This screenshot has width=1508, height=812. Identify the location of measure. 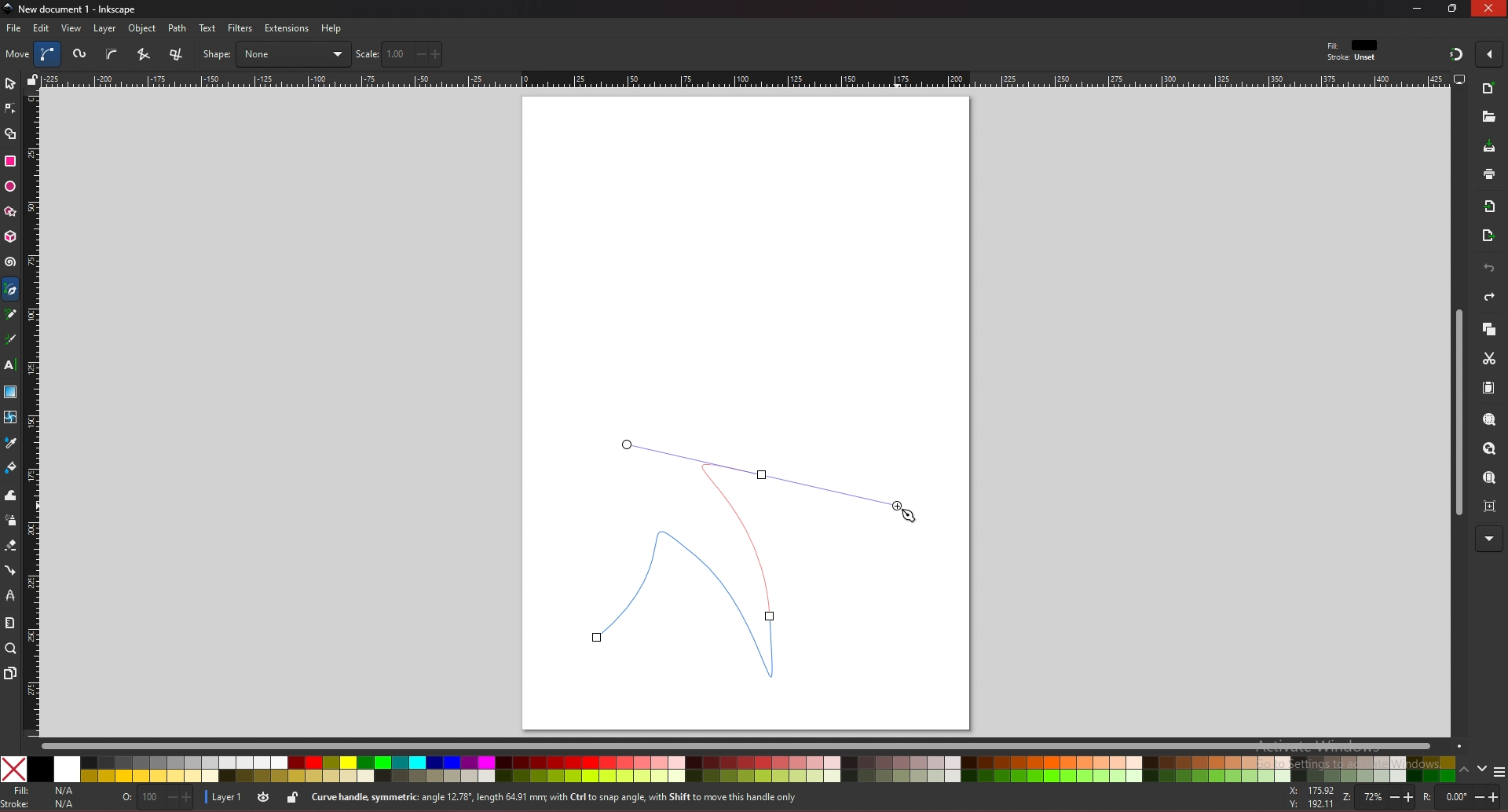
(9, 623).